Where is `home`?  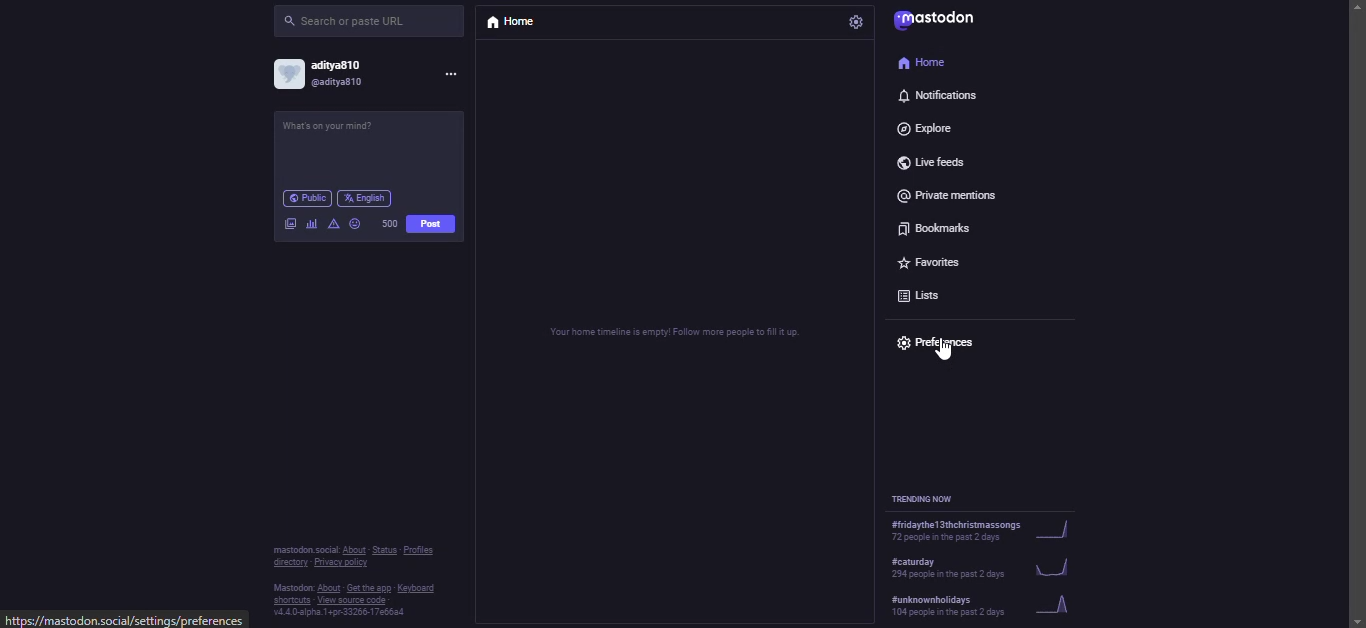
home is located at coordinates (924, 63).